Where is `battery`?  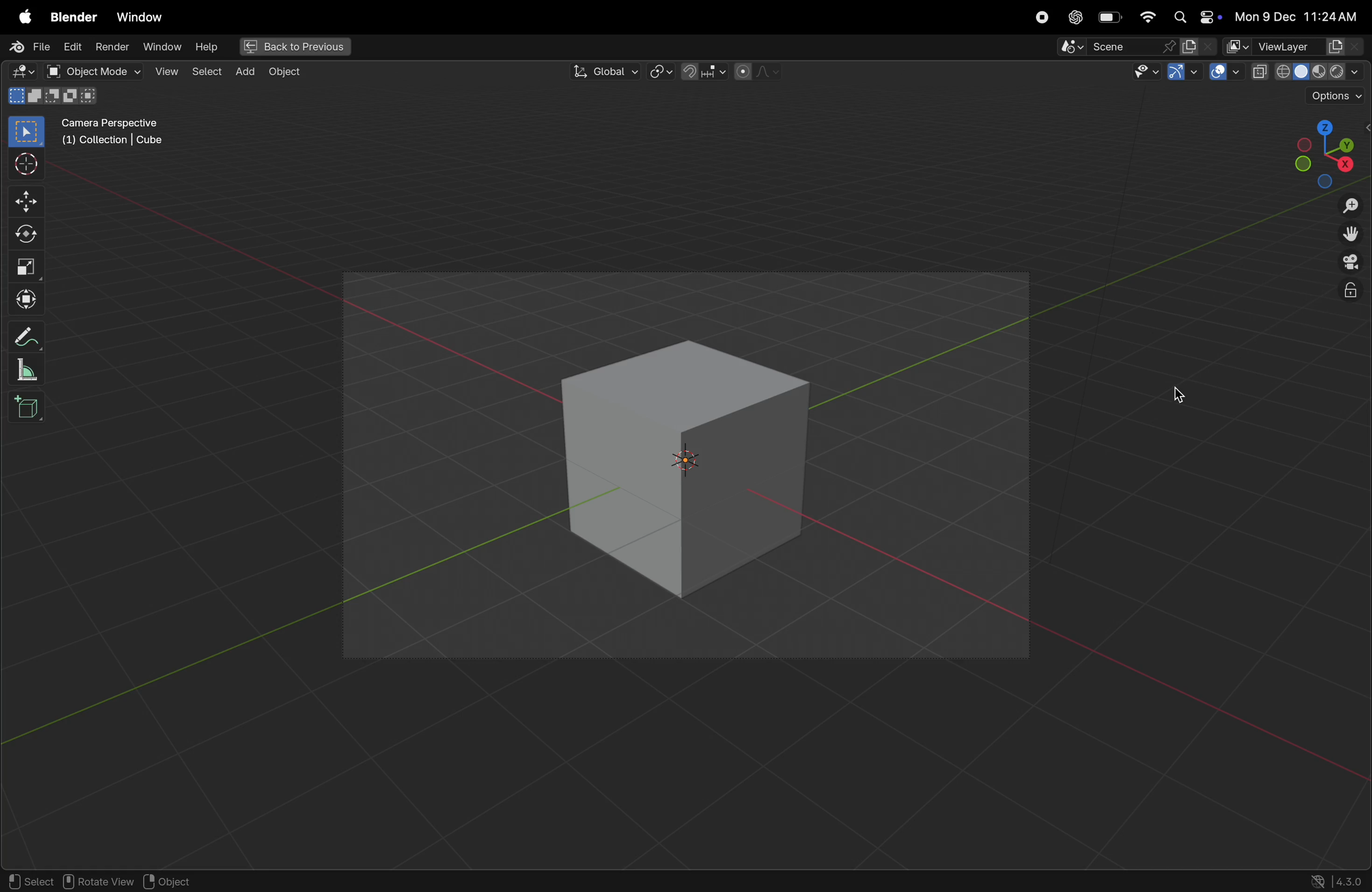 battery is located at coordinates (1111, 17).